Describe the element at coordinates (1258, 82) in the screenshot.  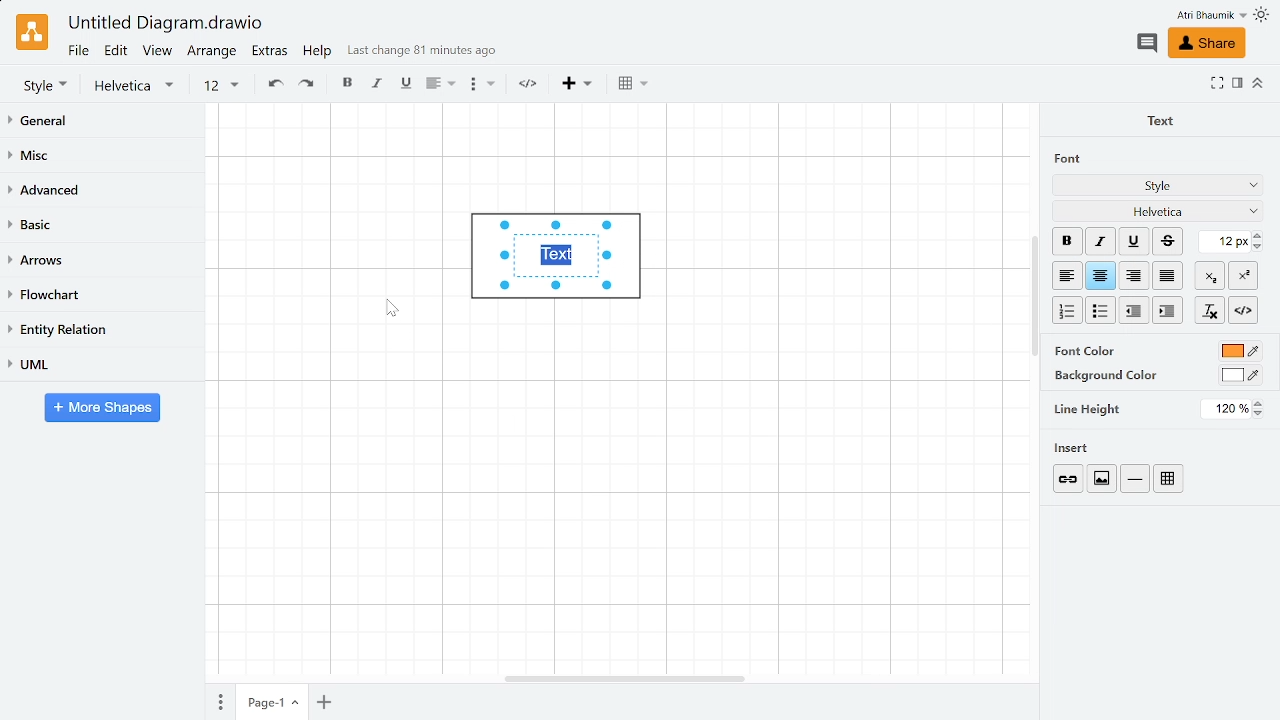
I see `collapse` at that location.